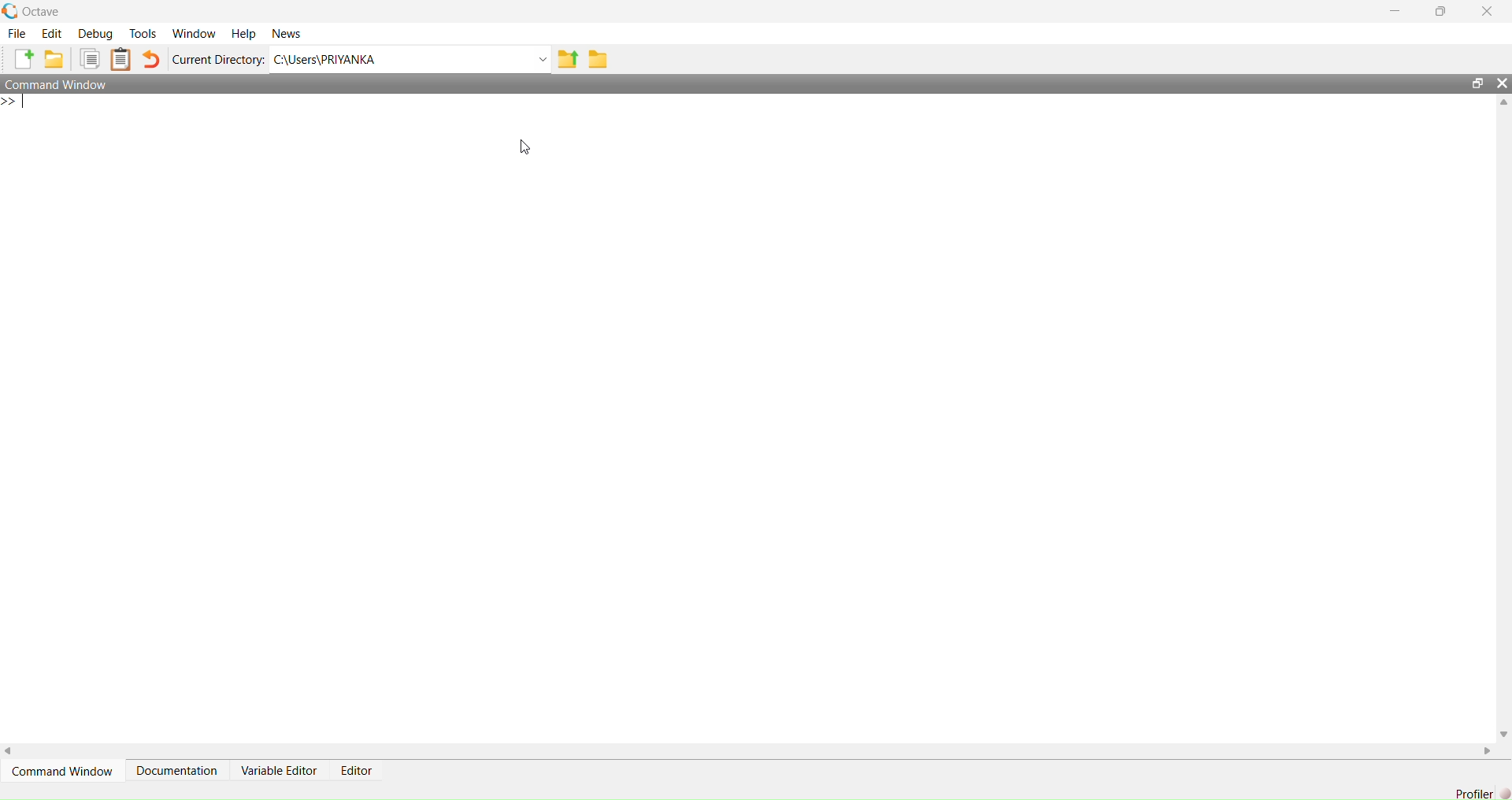 This screenshot has height=800, width=1512. Describe the element at coordinates (1502, 103) in the screenshot. I see `Up` at that location.